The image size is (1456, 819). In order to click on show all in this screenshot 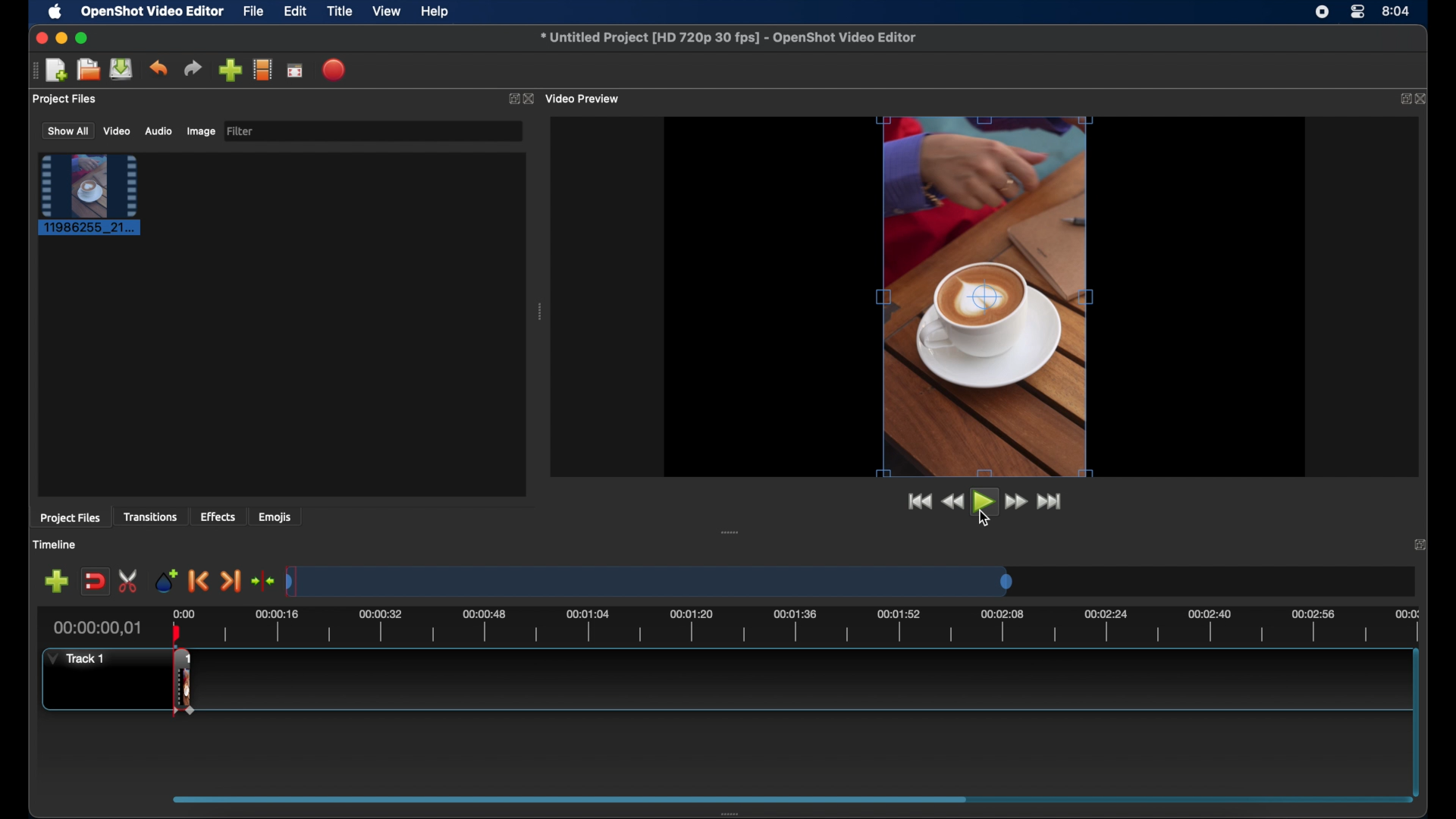, I will do `click(67, 131)`.